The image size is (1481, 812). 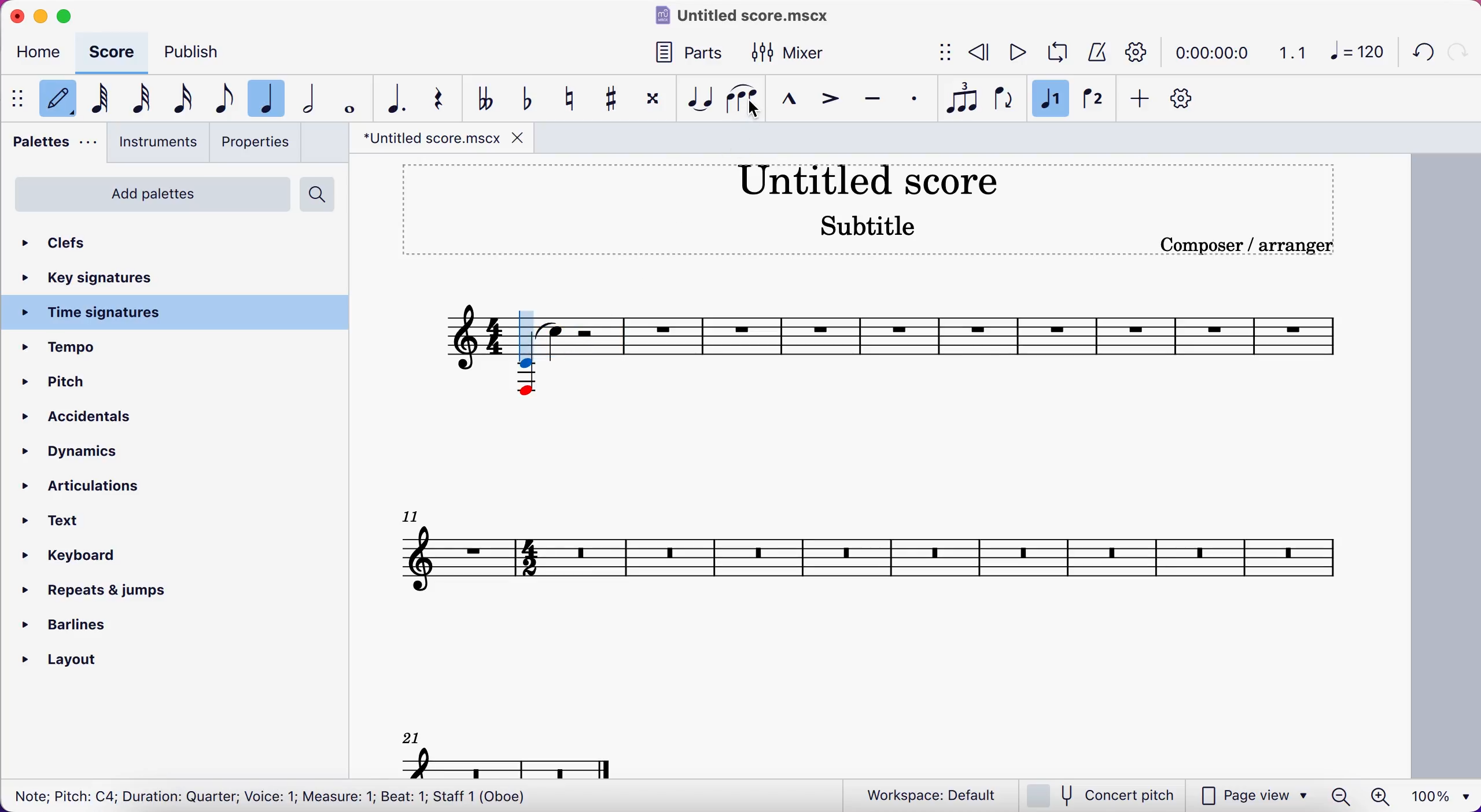 What do you see at coordinates (878, 206) in the screenshot?
I see `untitled score subtitle composer/arranger` at bounding box center [878, 206].